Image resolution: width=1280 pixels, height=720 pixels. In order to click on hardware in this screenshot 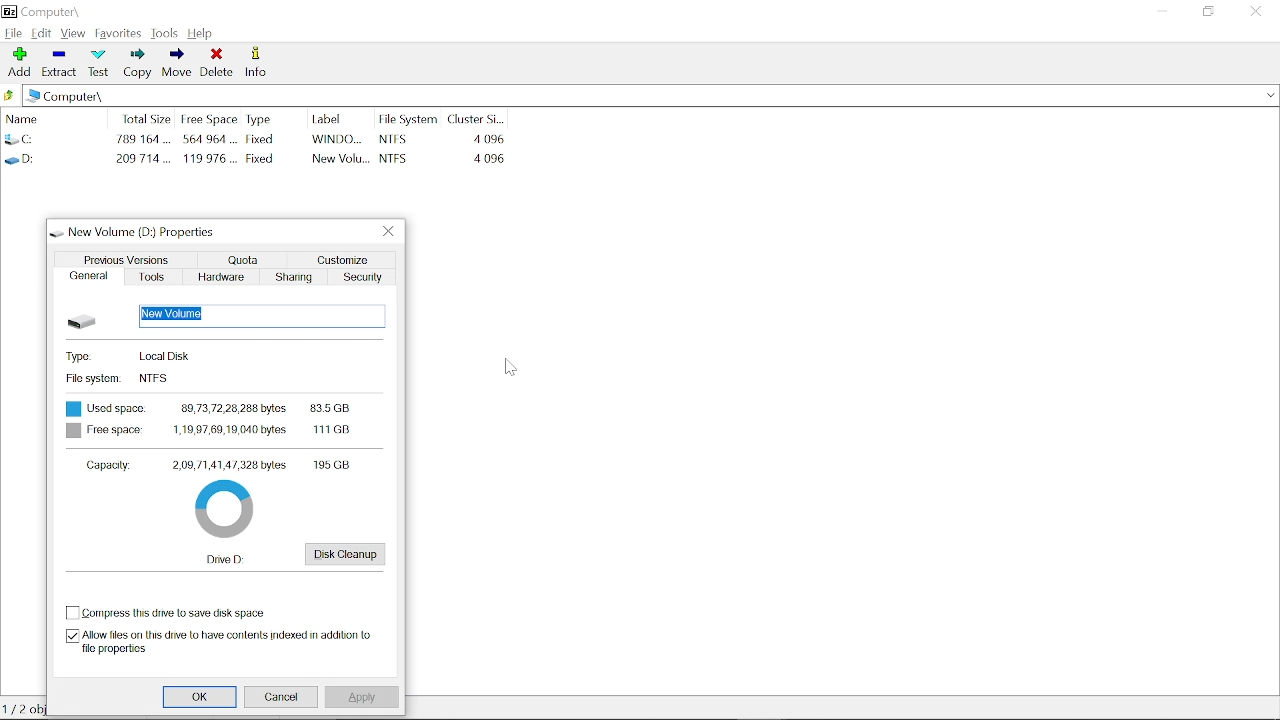, I will do `click(226, 278)`.